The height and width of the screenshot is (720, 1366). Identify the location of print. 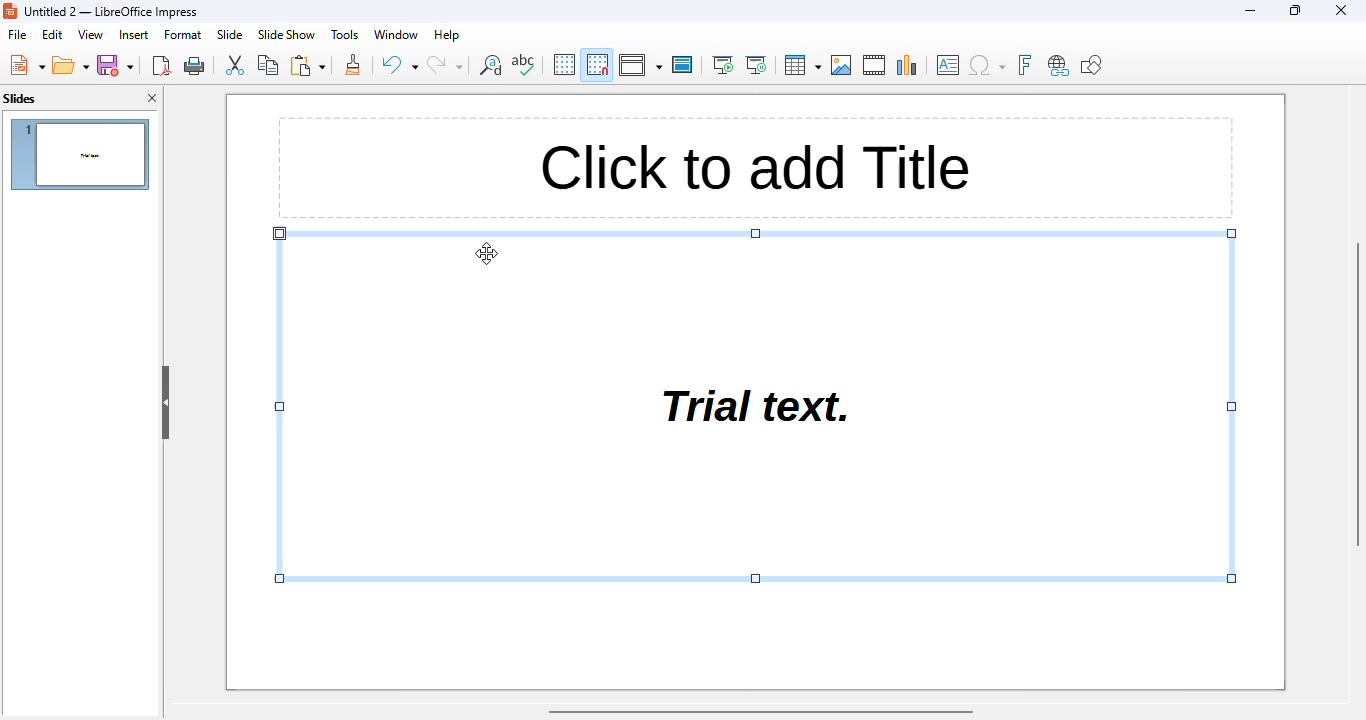
(195, 66).